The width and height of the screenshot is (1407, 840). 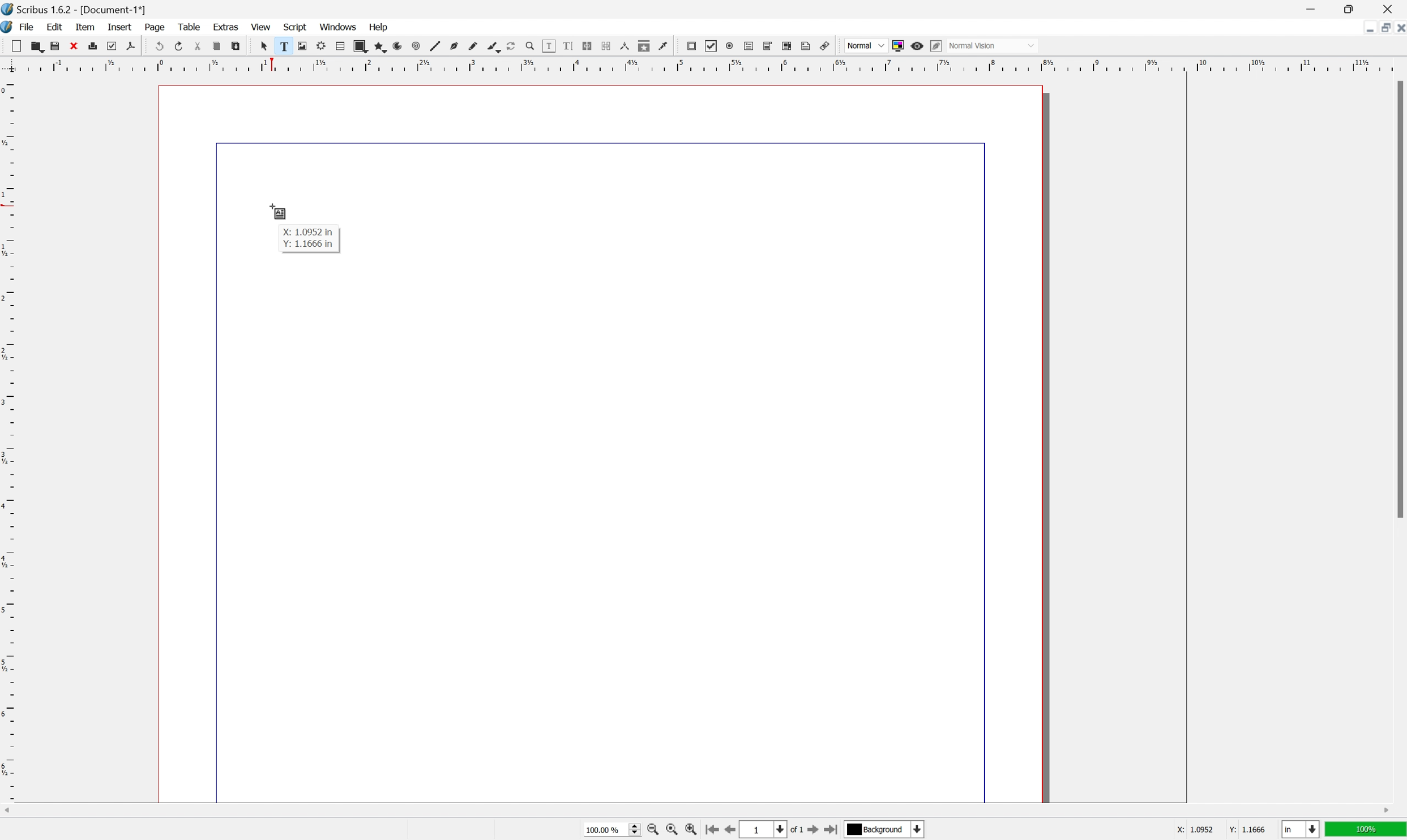 What do you see at coordinates (416, 47) in the screenshot?
I see `spiral` at bounding box center [416, 47].